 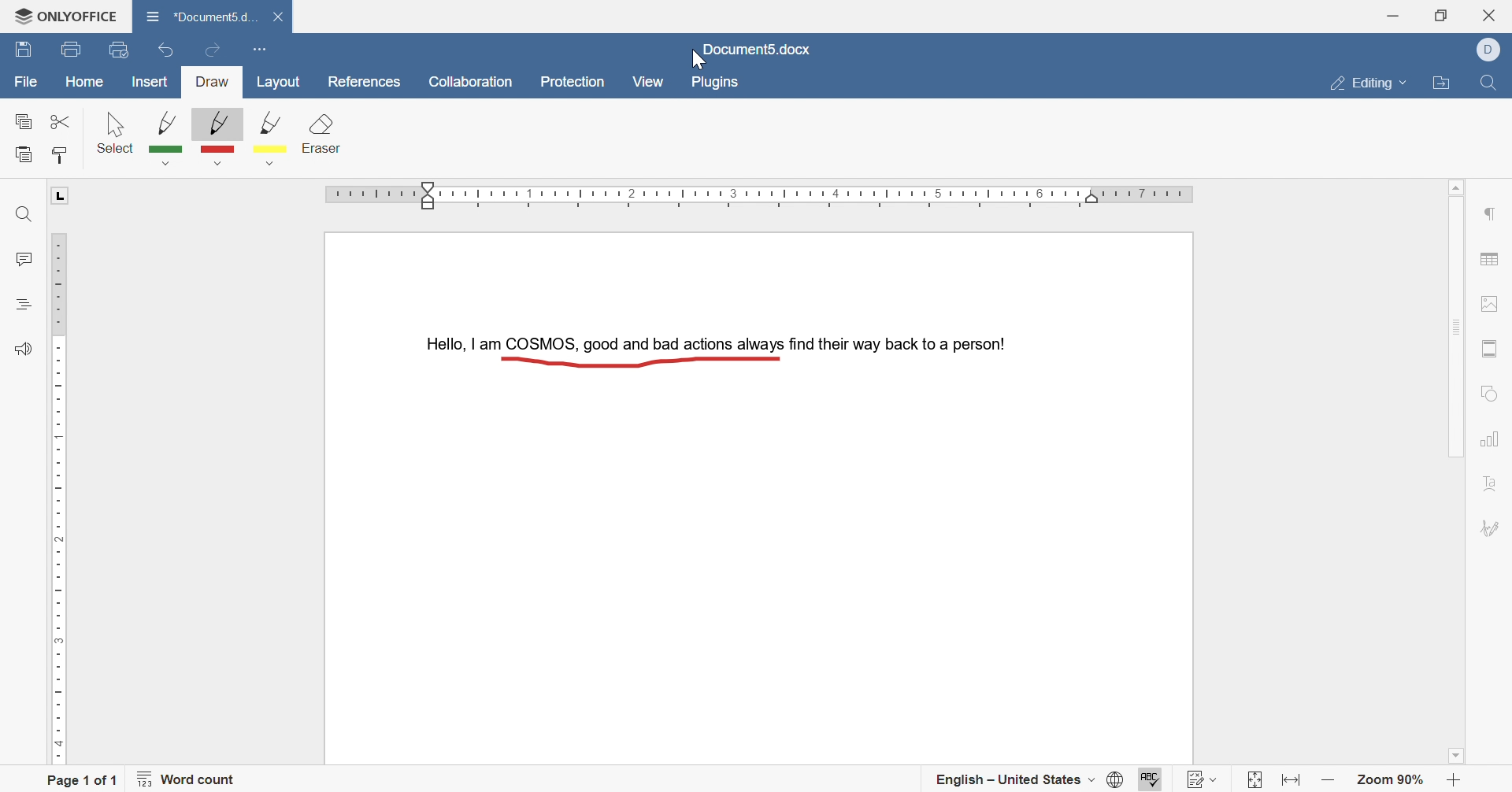 What do you see at coordinates (716, 83) in the screenshot?
I see `plugins` at bounding box center [716, 83].